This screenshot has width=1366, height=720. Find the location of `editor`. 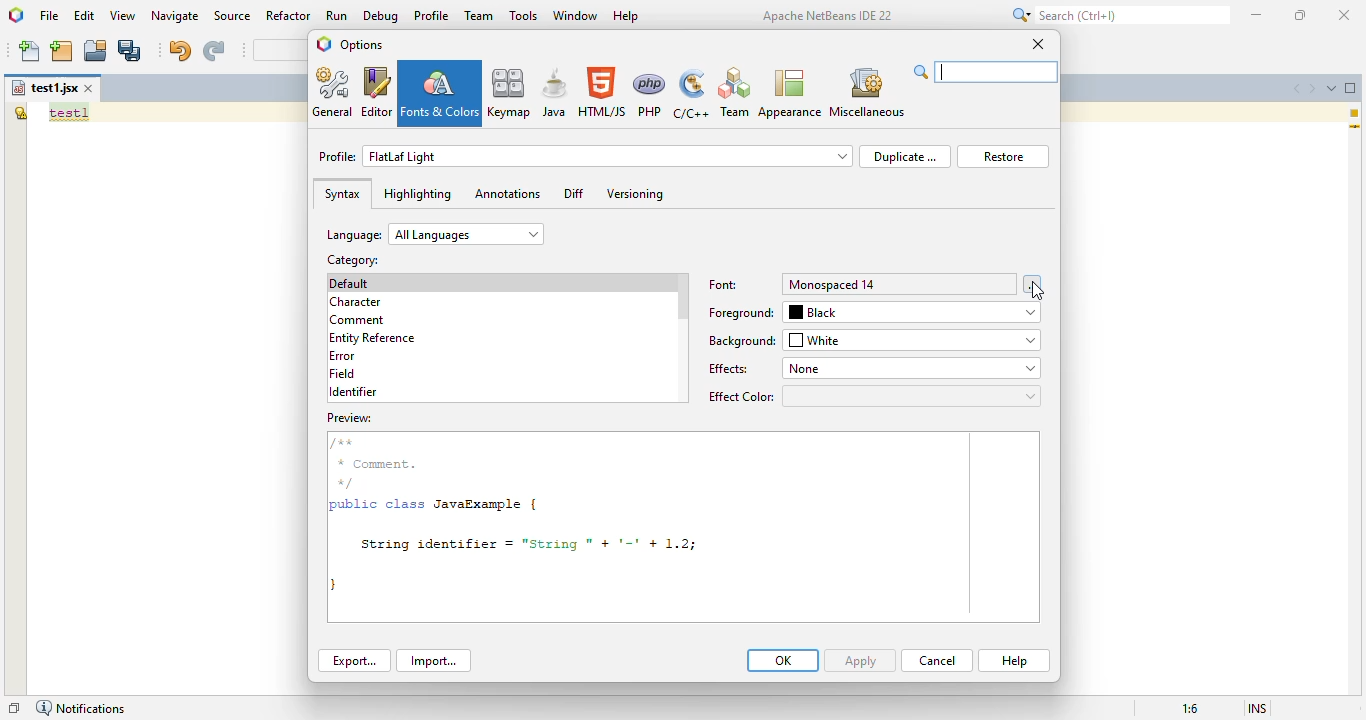

editor is located at coordinates (377, 92).